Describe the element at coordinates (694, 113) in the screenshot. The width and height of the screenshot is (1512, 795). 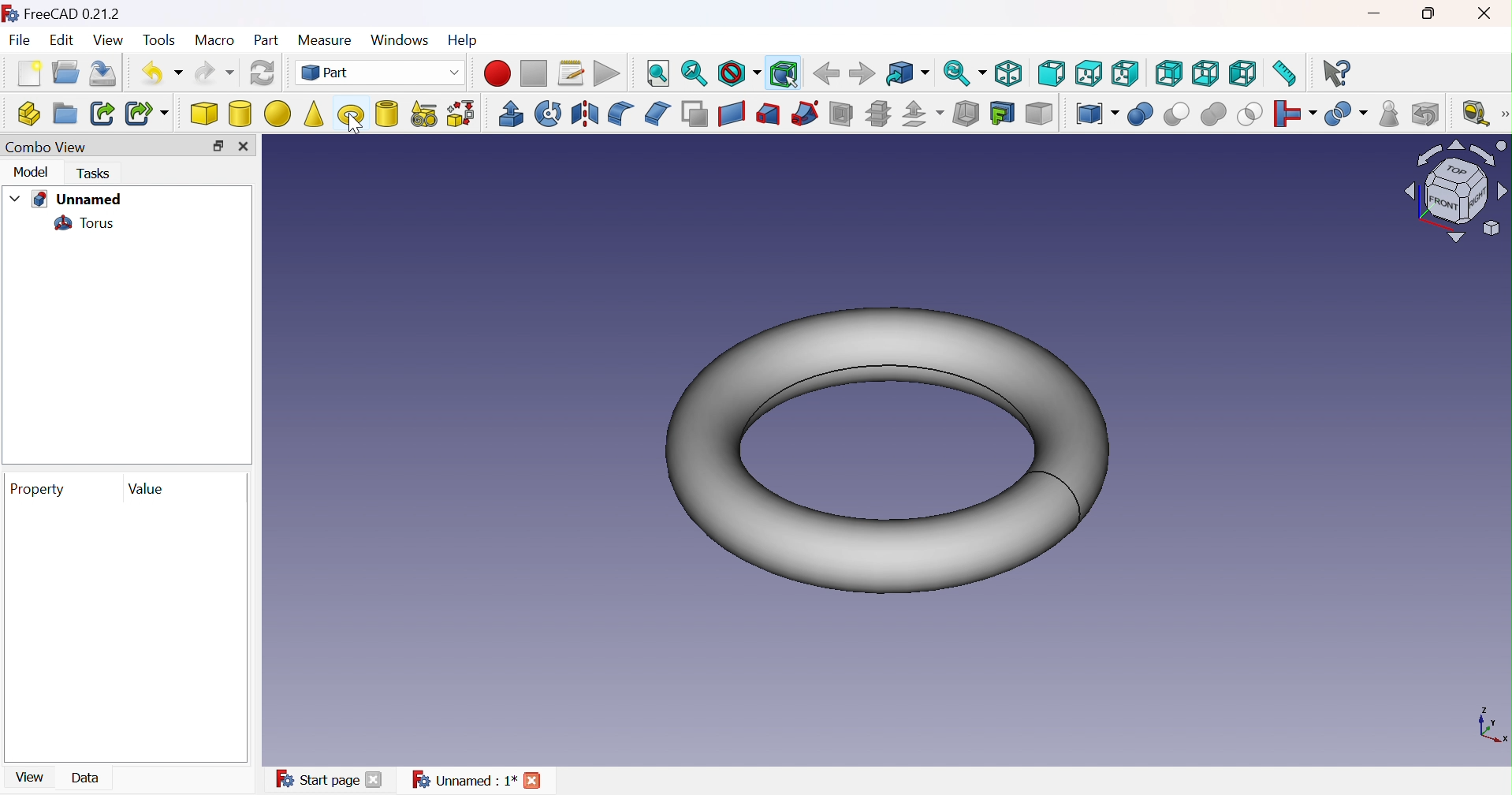
I see `Make face from wires` at that location.